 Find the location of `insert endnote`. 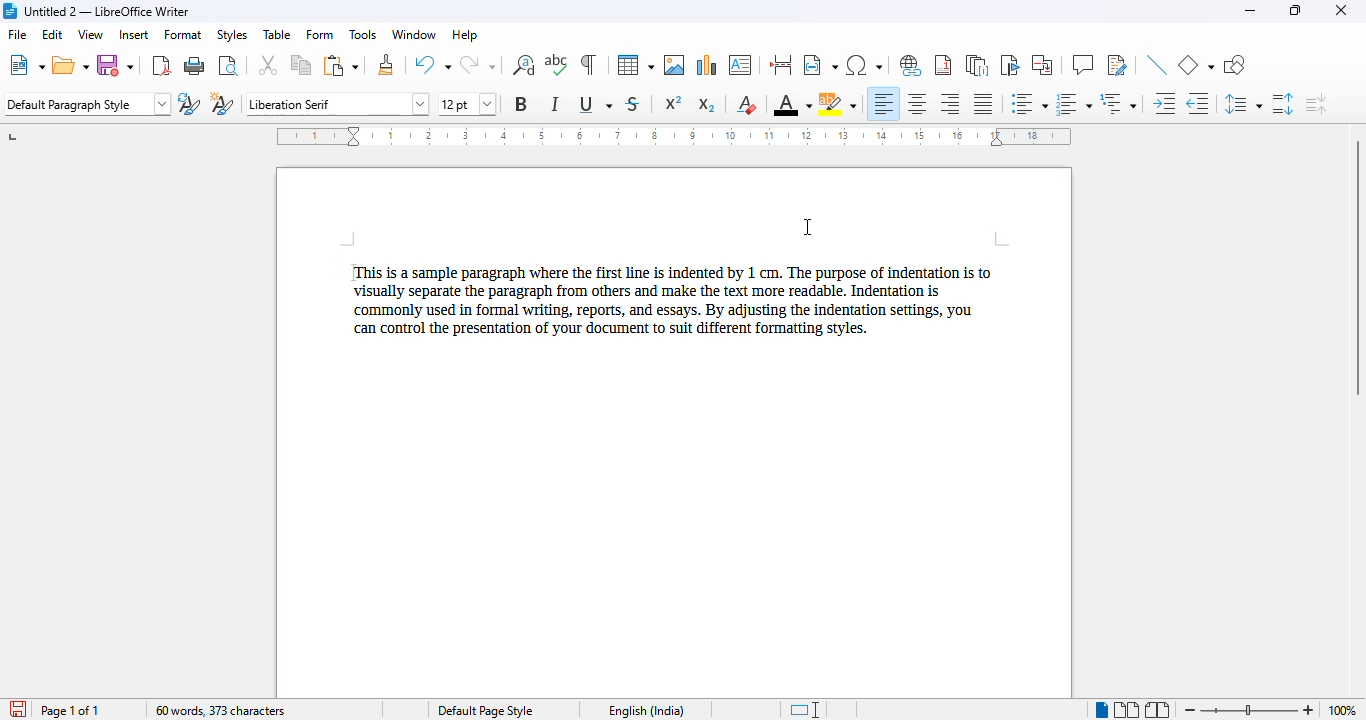

insert endnote is located at coordinates (978, 65).